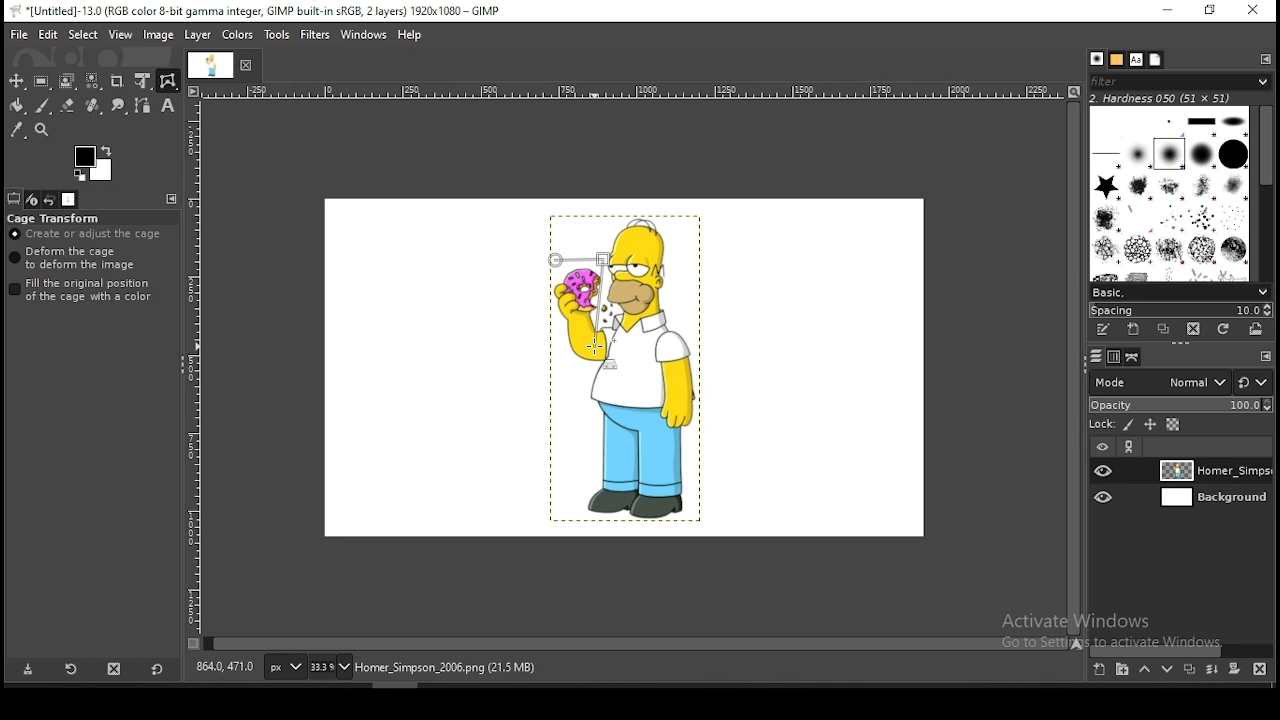  What do you see at coordinates (1195, 330) in the screenshot?
I see `delete brush` at bounding box center [1195, 330].